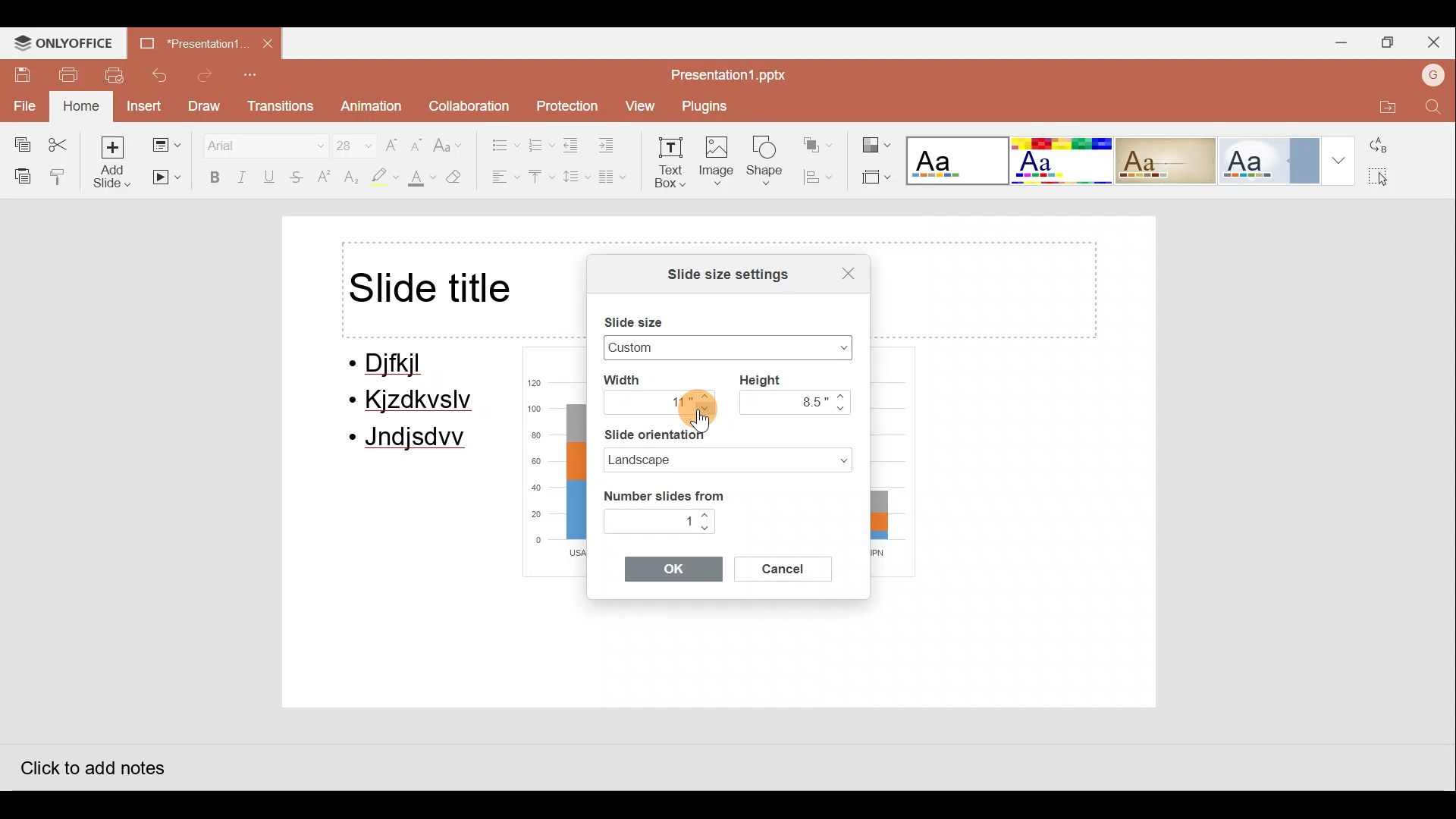 This screenshot has width=1456, height=819. What do you see at coordinates (574, 177) in the screenshot?
I see `Line spacing` at bounding box center [574, 177].